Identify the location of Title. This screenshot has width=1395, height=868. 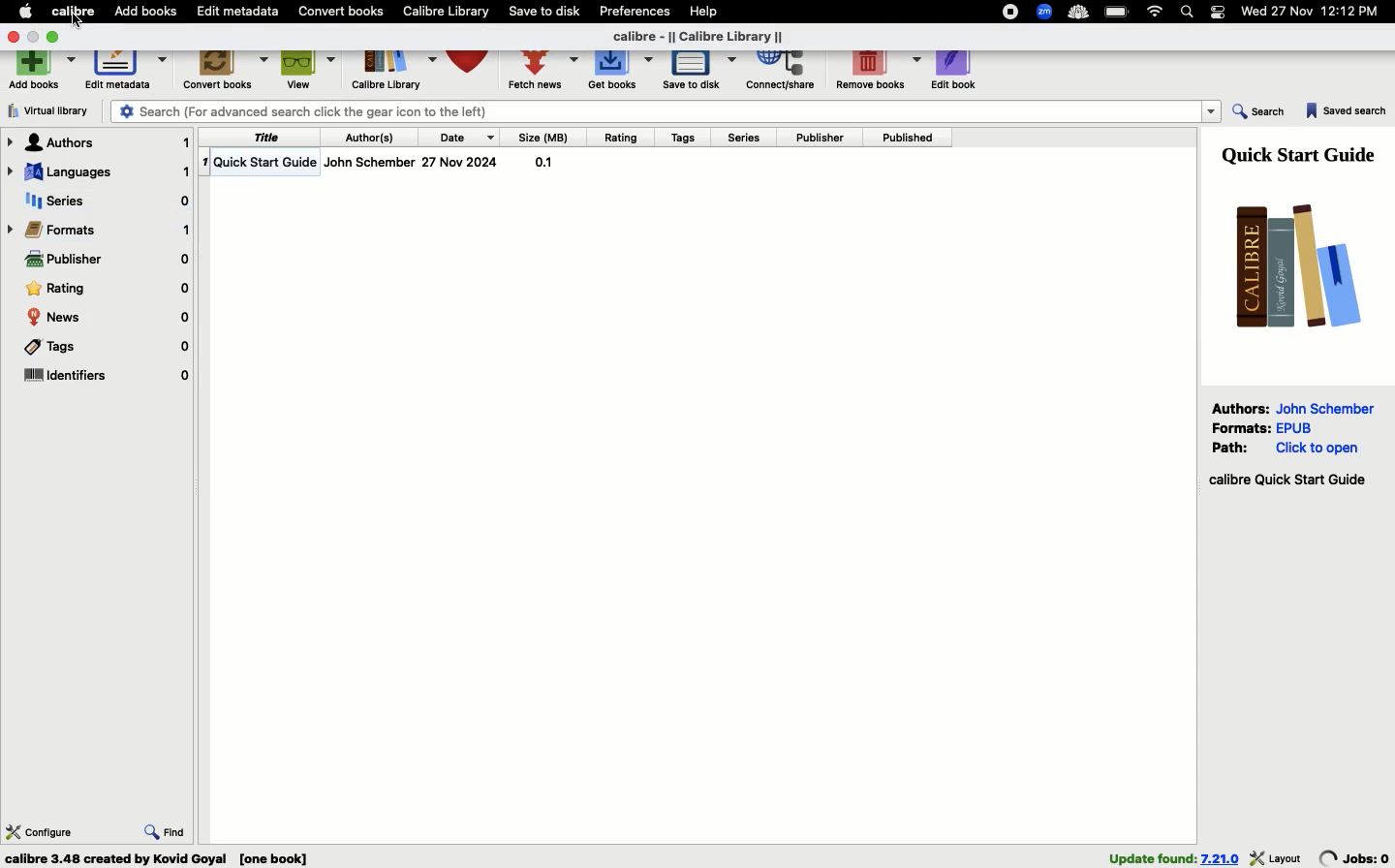
(267, 161).